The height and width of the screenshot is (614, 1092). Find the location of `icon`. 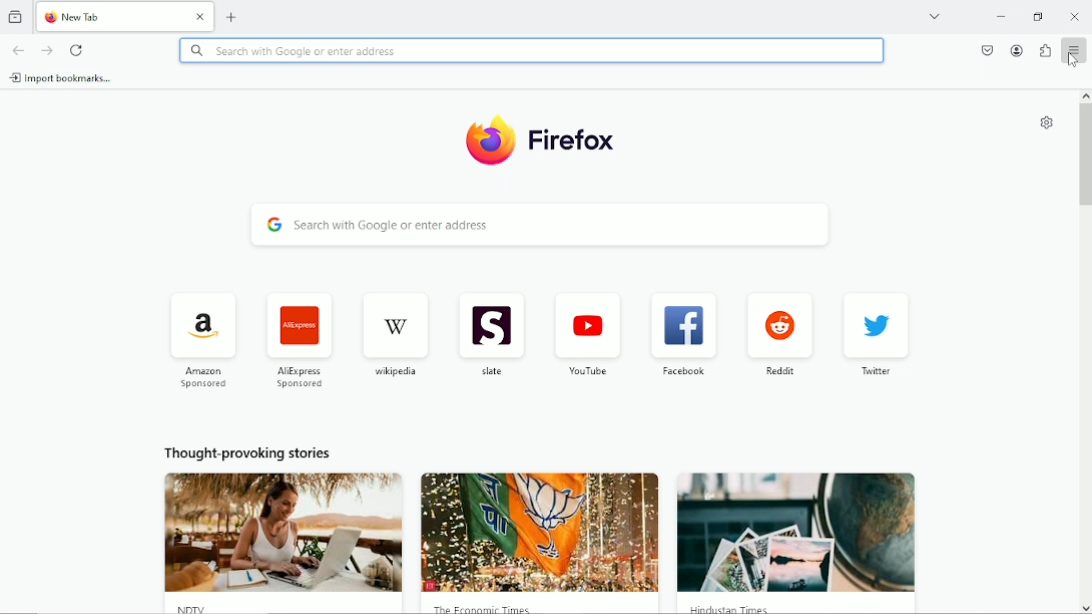

icon is located at coordinates (395, 323).